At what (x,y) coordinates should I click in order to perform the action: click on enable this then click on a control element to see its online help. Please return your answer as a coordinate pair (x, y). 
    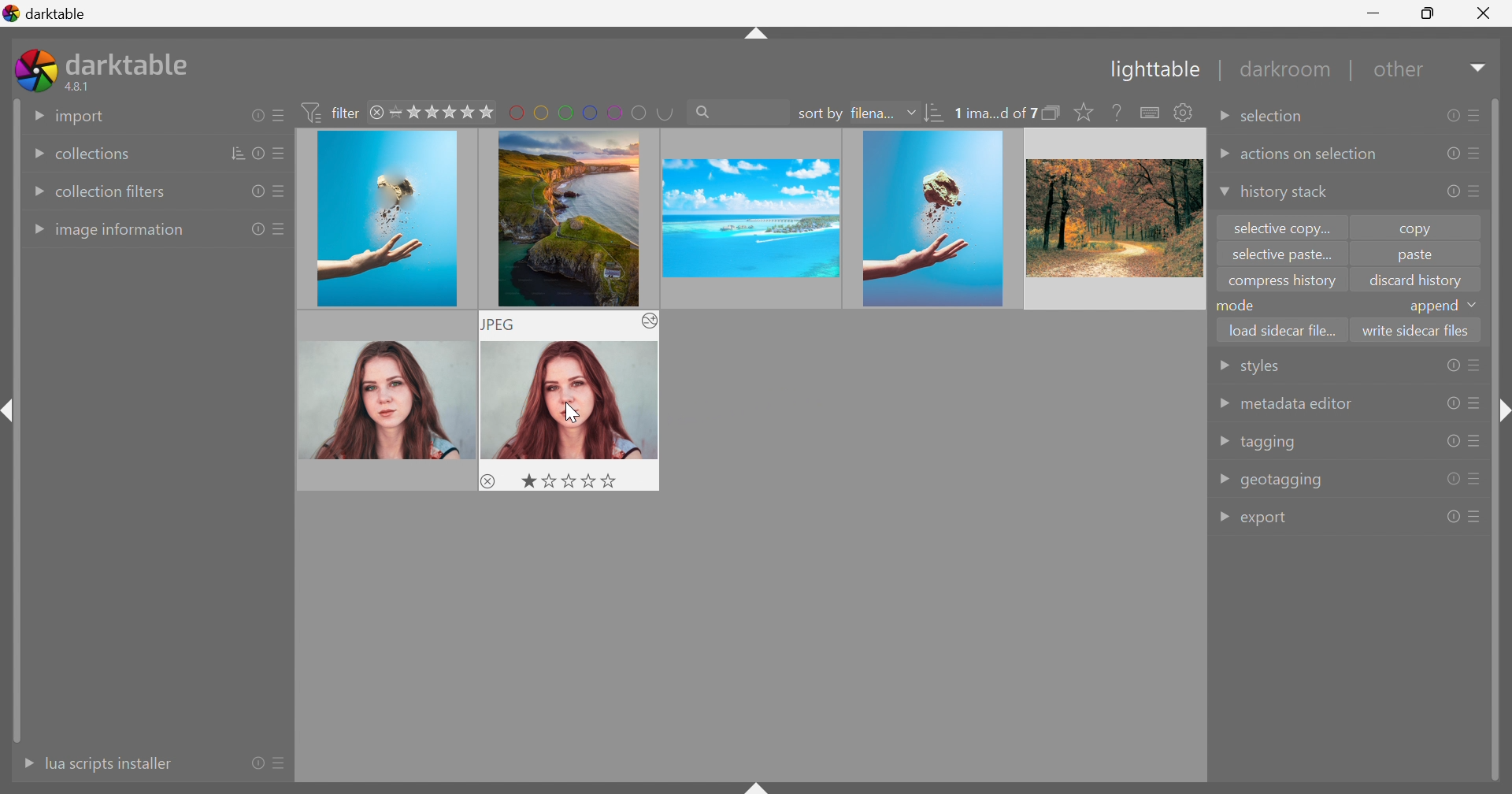
    Looking at the image, I should click on (1117, 112).